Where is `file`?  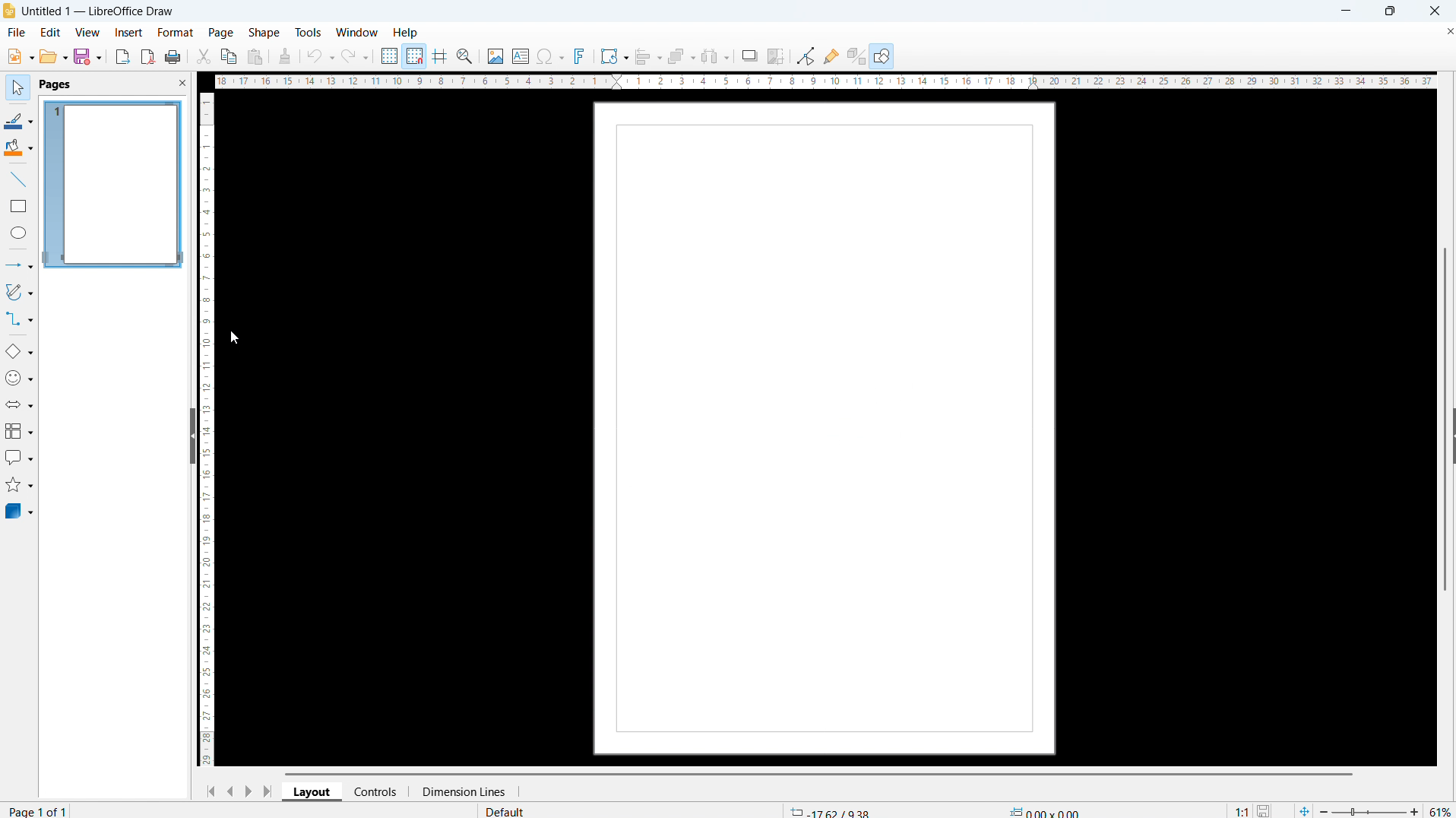
file is located at coordinates (17, 33).